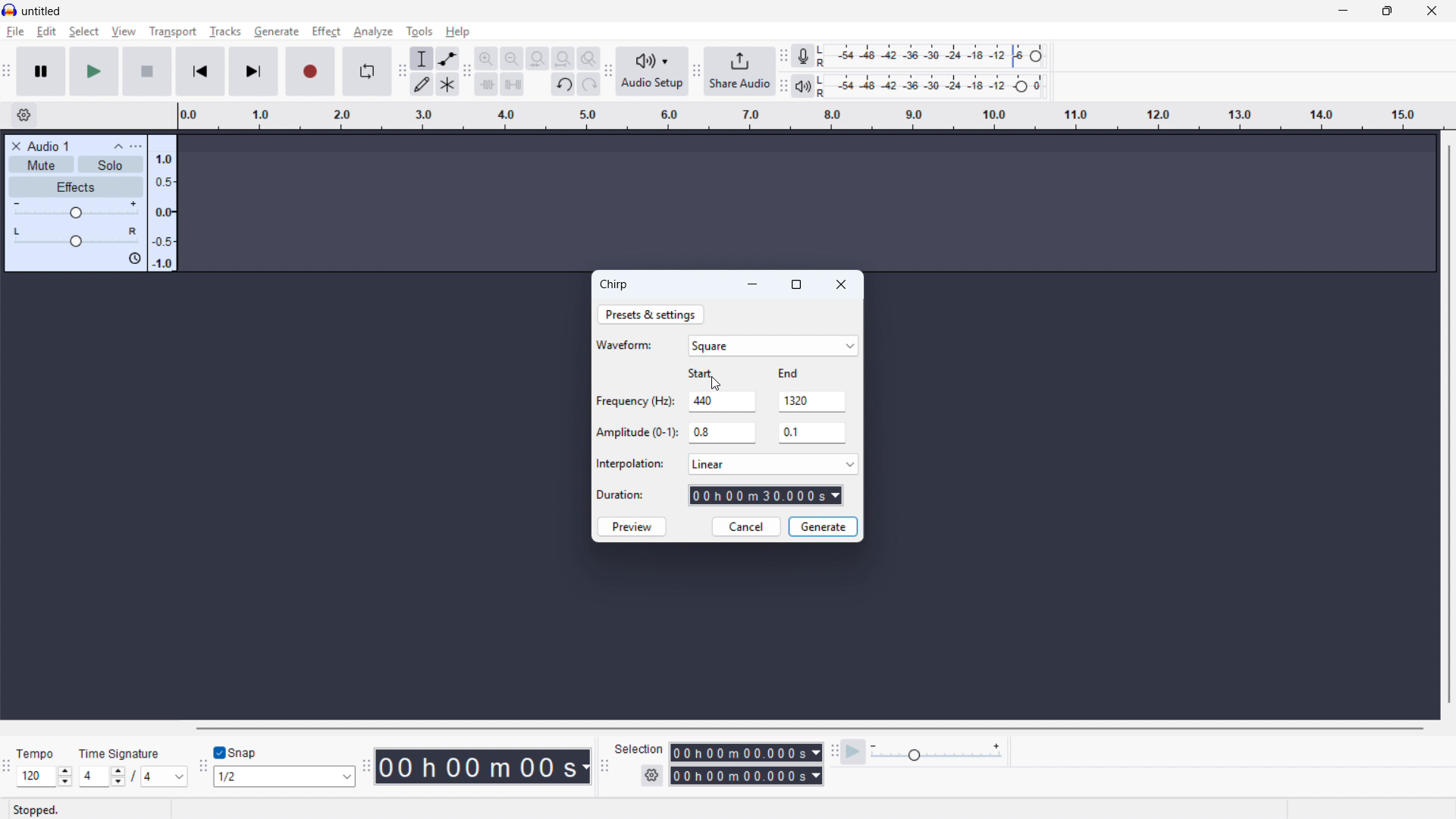 This screenshot has height=819, width=1456. Describe the element at coordinates (1389, 11) in the screenshot. I see `maximise ` at that location.